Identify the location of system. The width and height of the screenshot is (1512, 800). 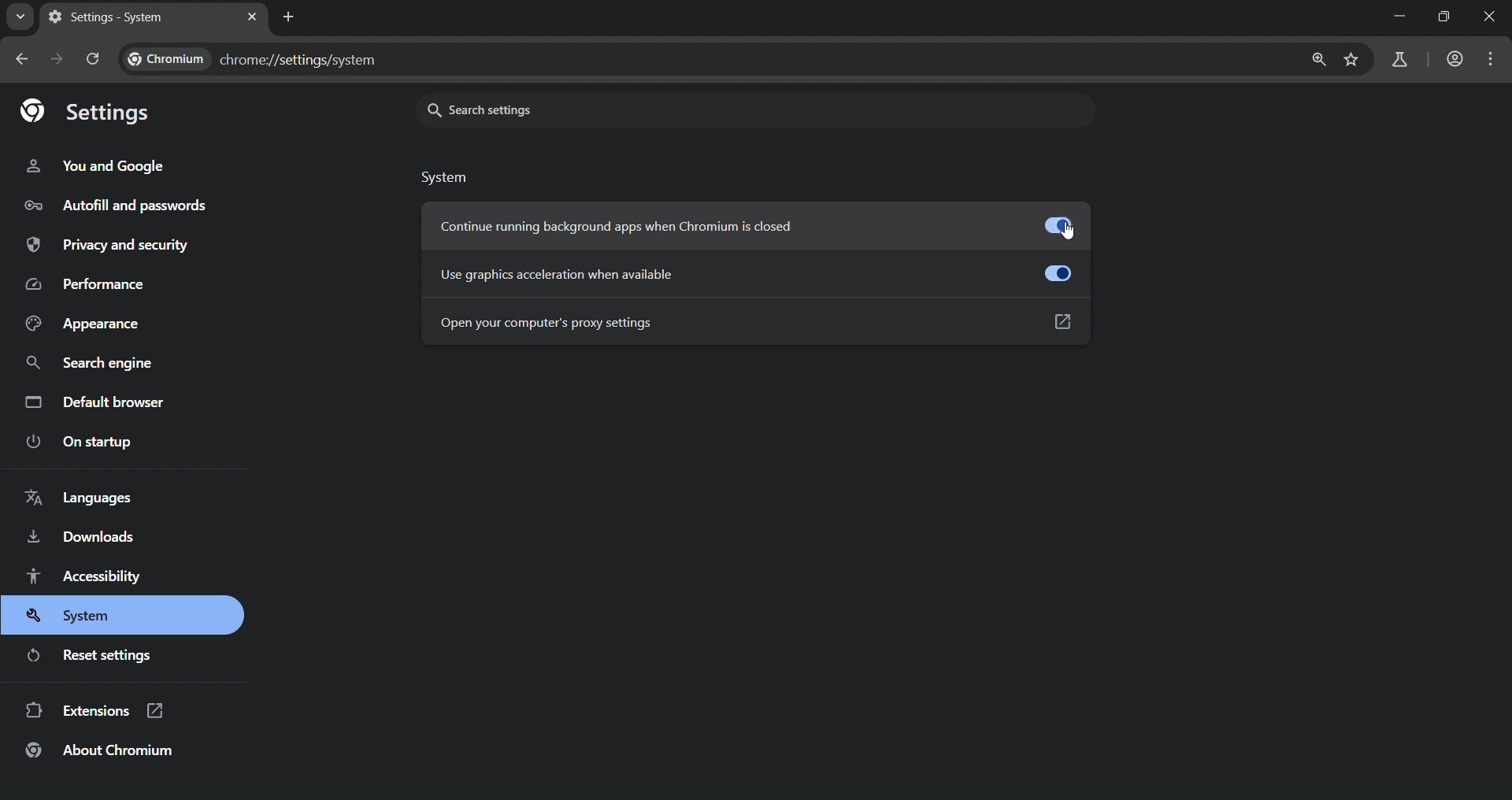
(448, 179).